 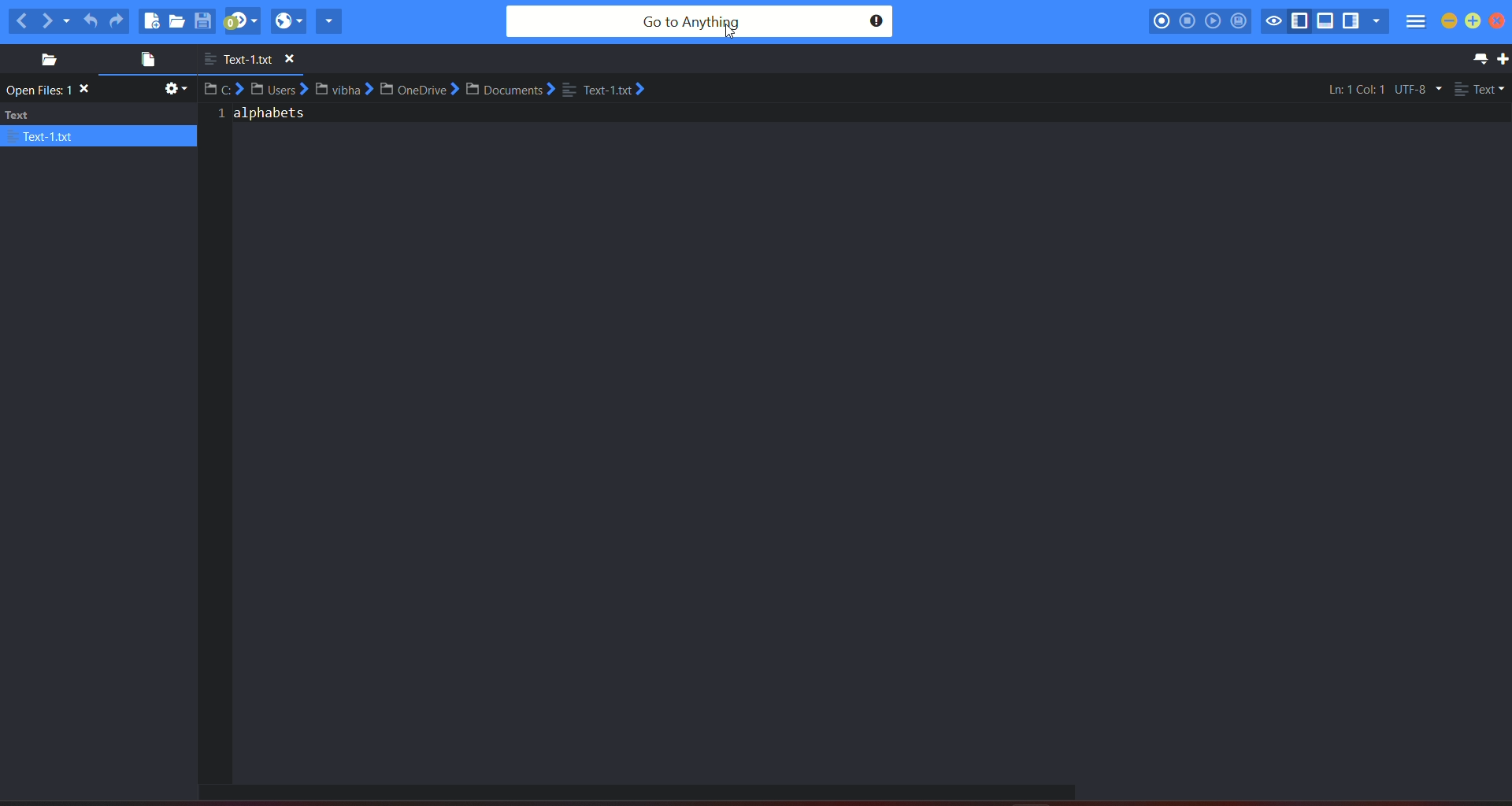 What do you see at coordinates (1417, 89) in the screenshot?
I see `file encoding` at bounding box center [1417, 89].